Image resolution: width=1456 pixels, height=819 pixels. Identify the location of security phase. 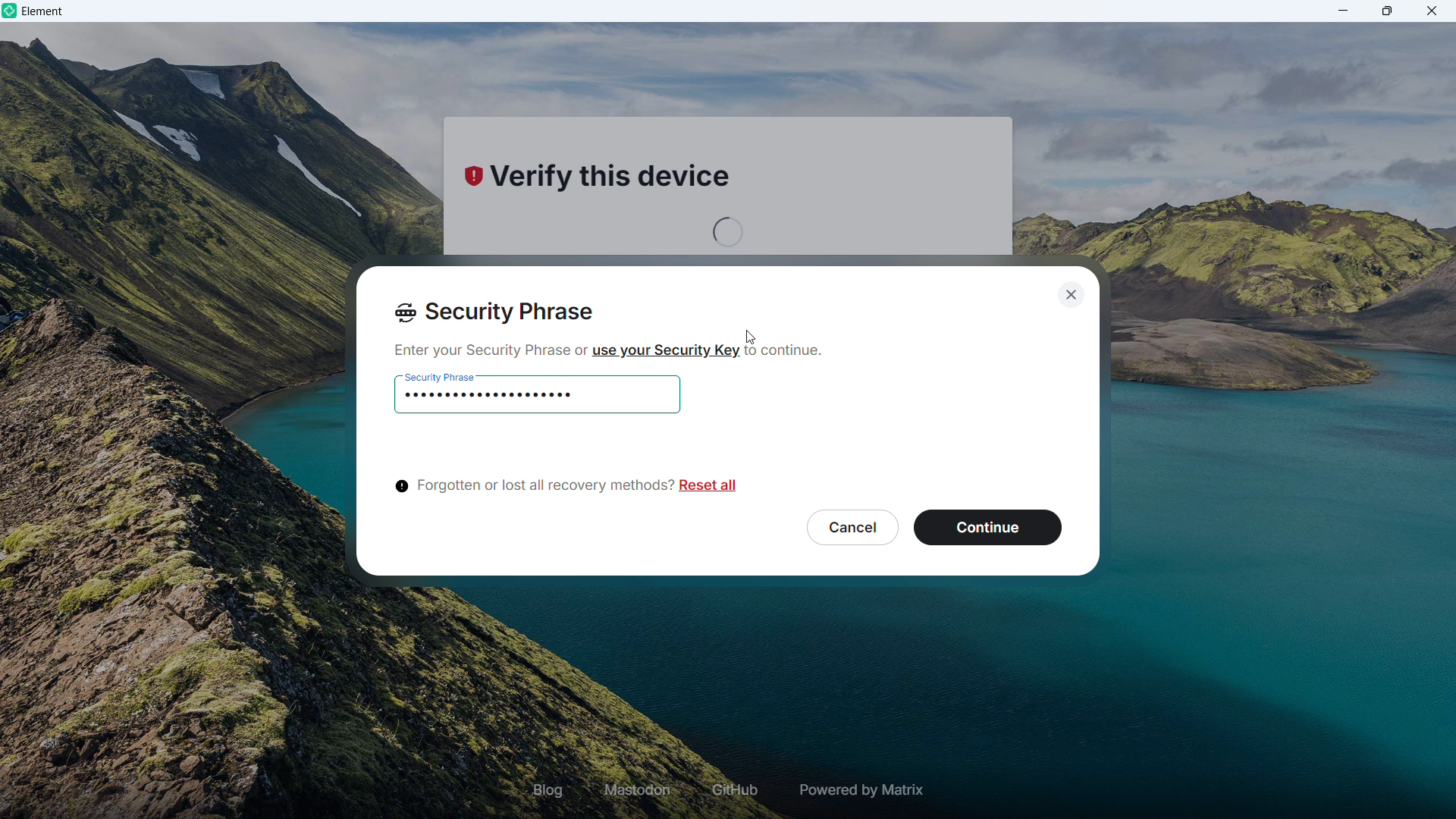
(440, 372).